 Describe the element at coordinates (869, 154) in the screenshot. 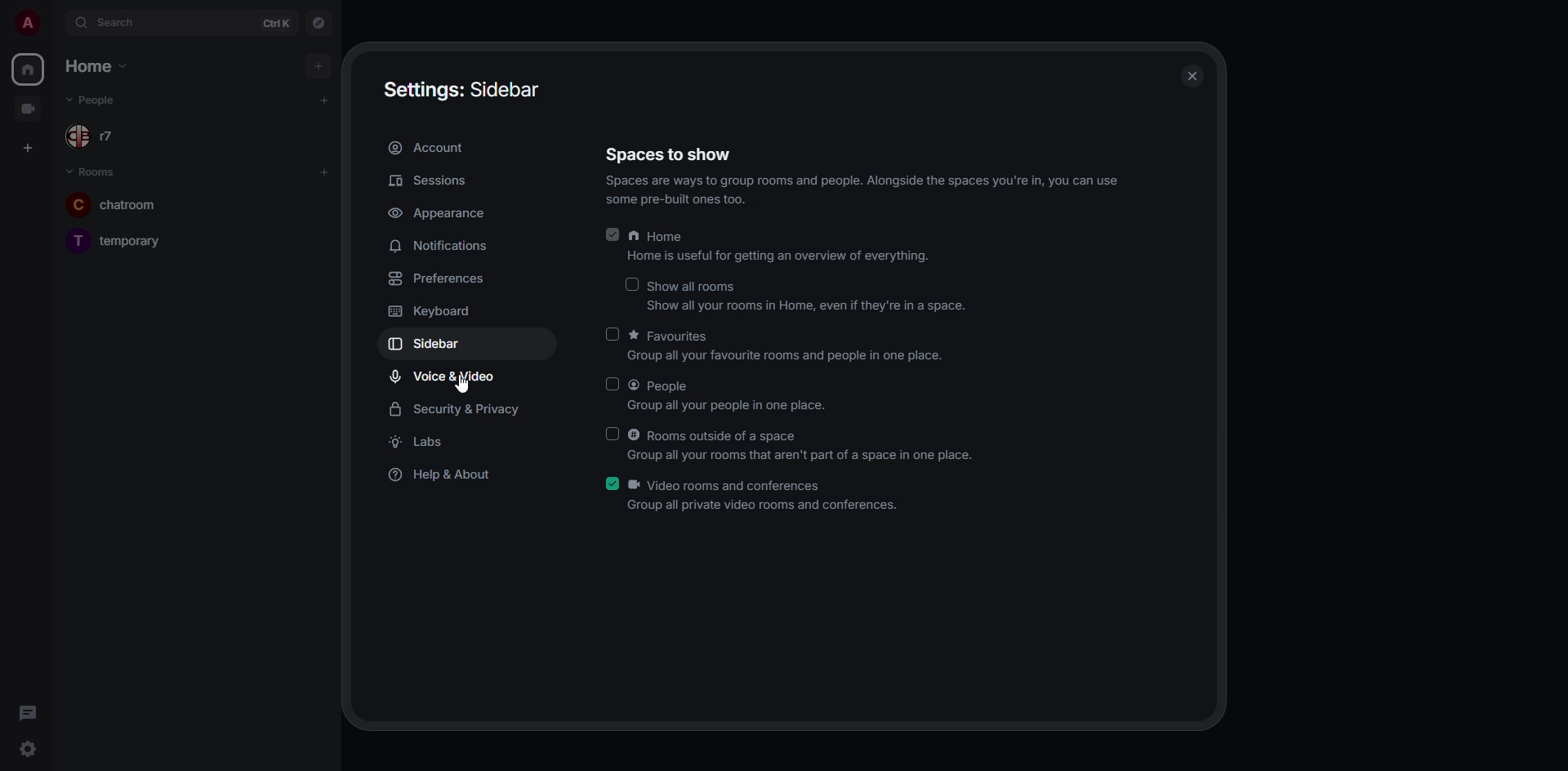

I see `spaces to show` at that location.